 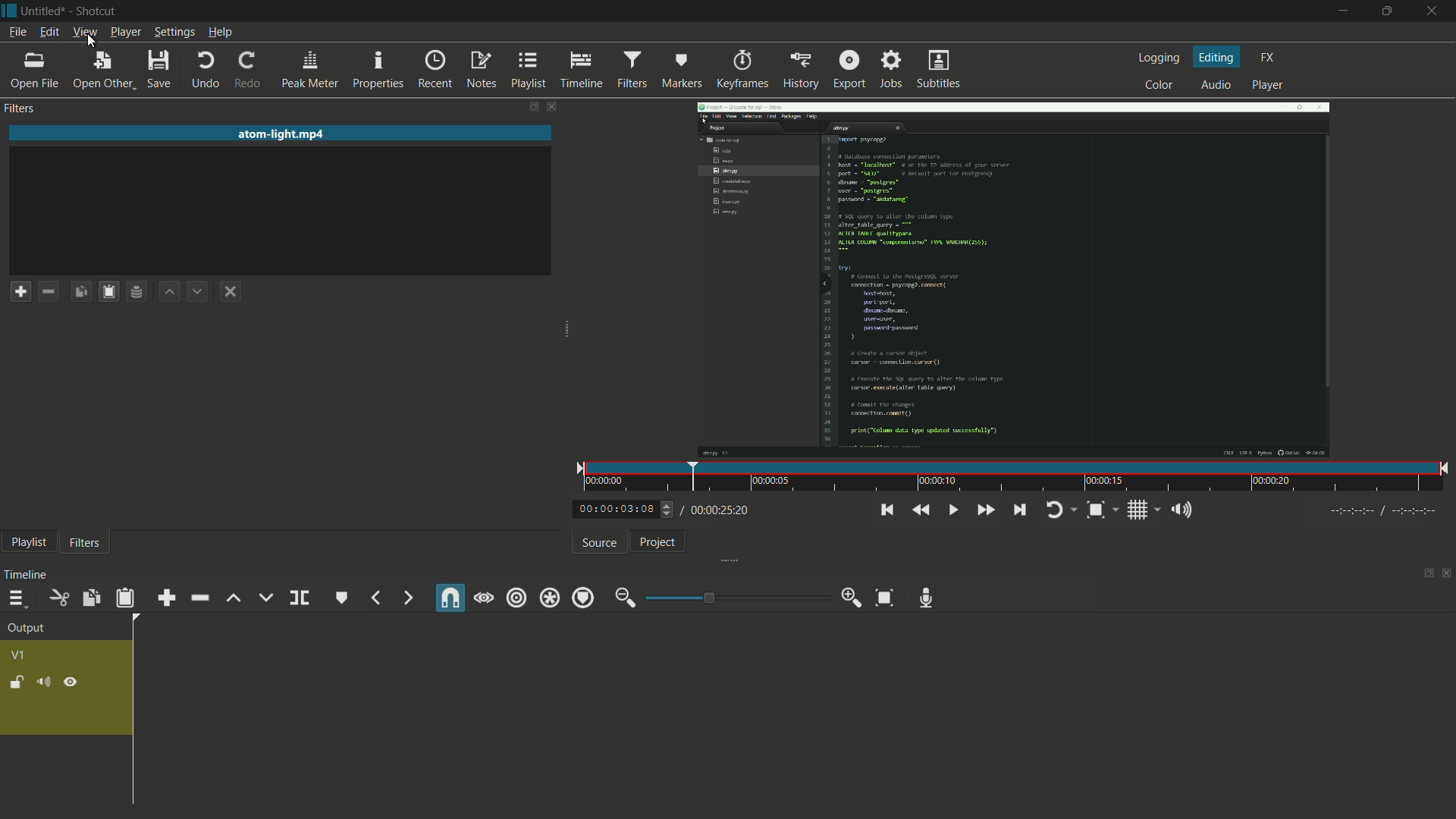 I want to click on timeline, so click(x=25, y=576).